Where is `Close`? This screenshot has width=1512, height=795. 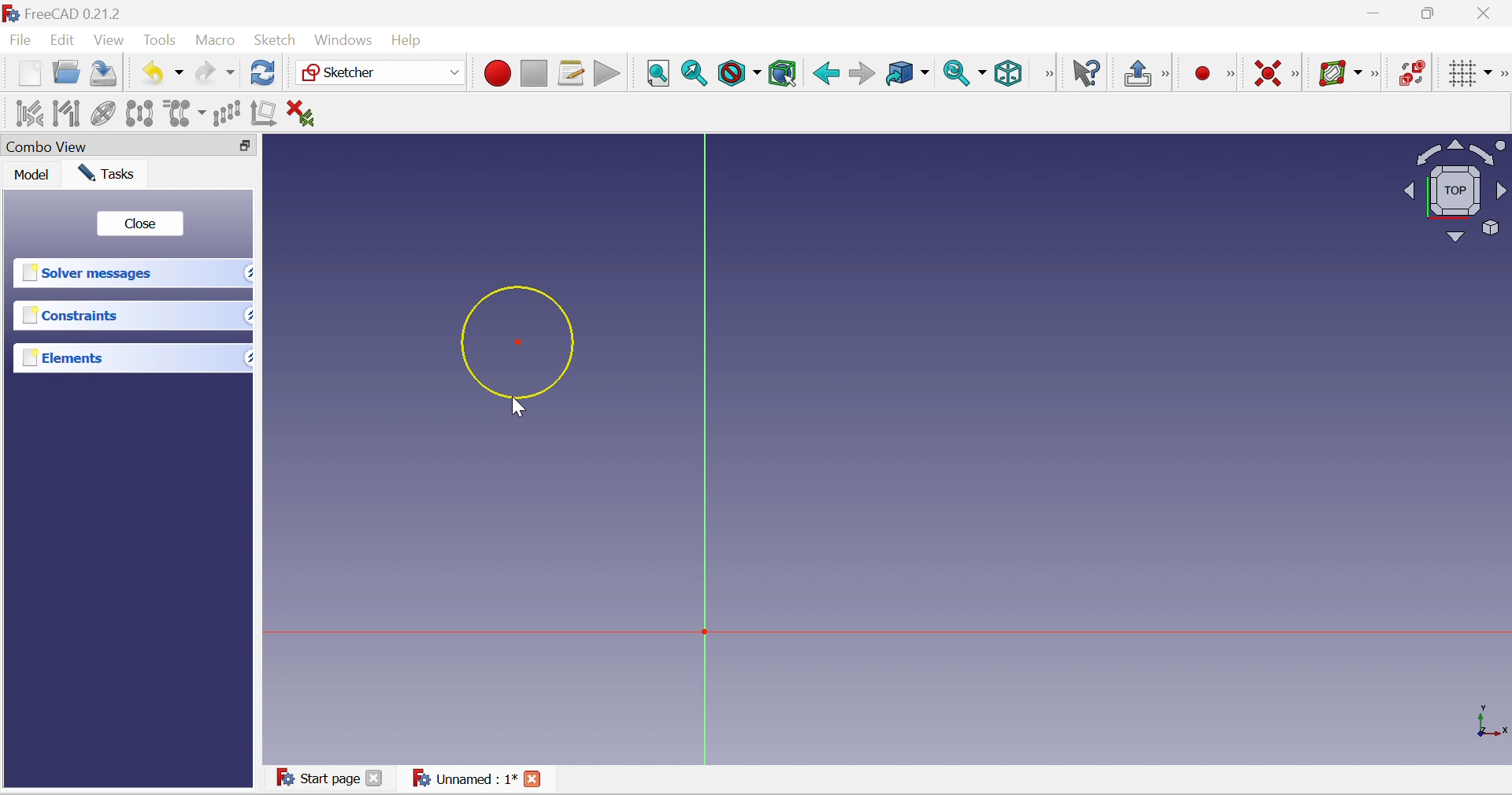 Close is located at coordinates (1487, 15).